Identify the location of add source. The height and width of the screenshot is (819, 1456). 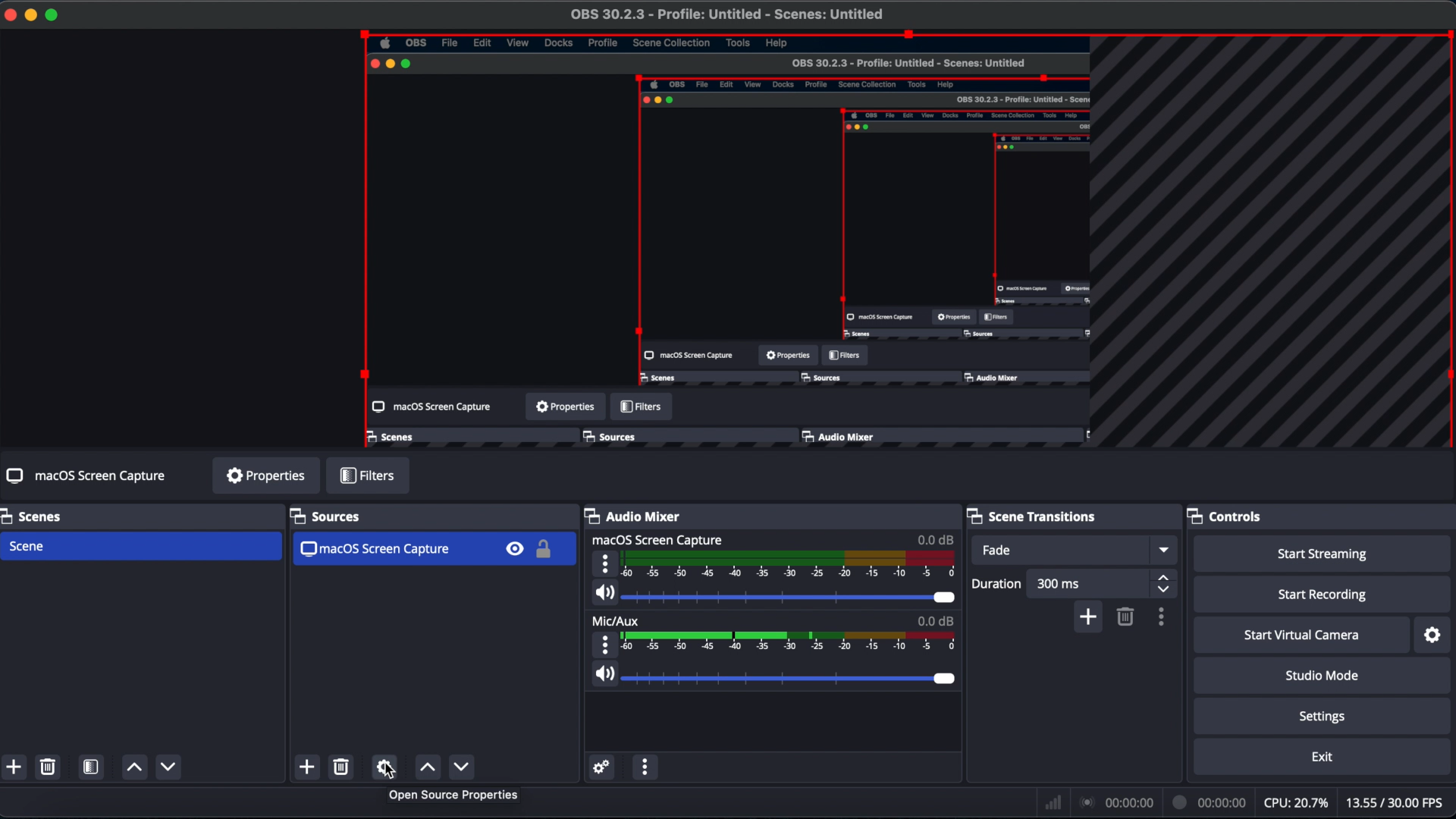
(306, 767).